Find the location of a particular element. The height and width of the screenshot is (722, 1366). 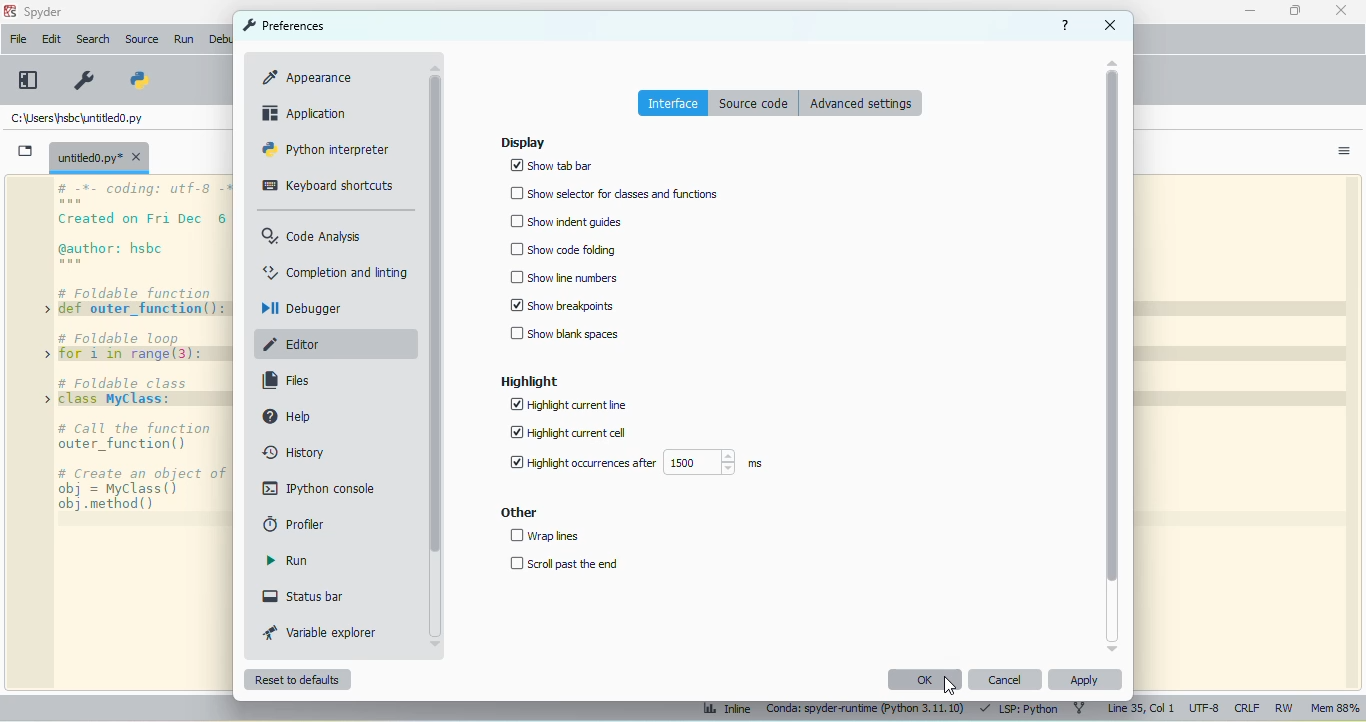

highlight is located at coordinates (531, 381).